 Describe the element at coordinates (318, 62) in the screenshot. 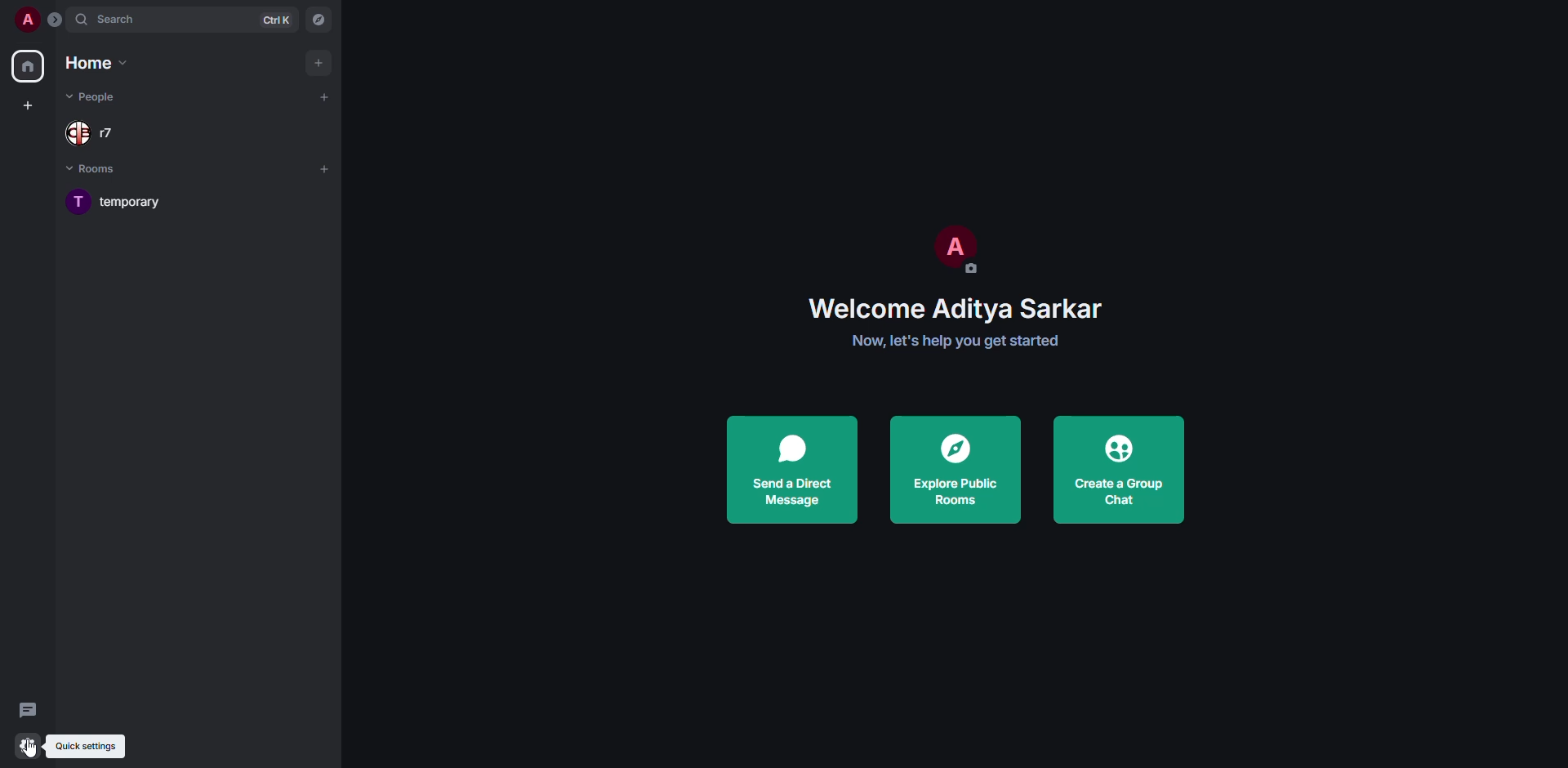

I see `add` at that location.